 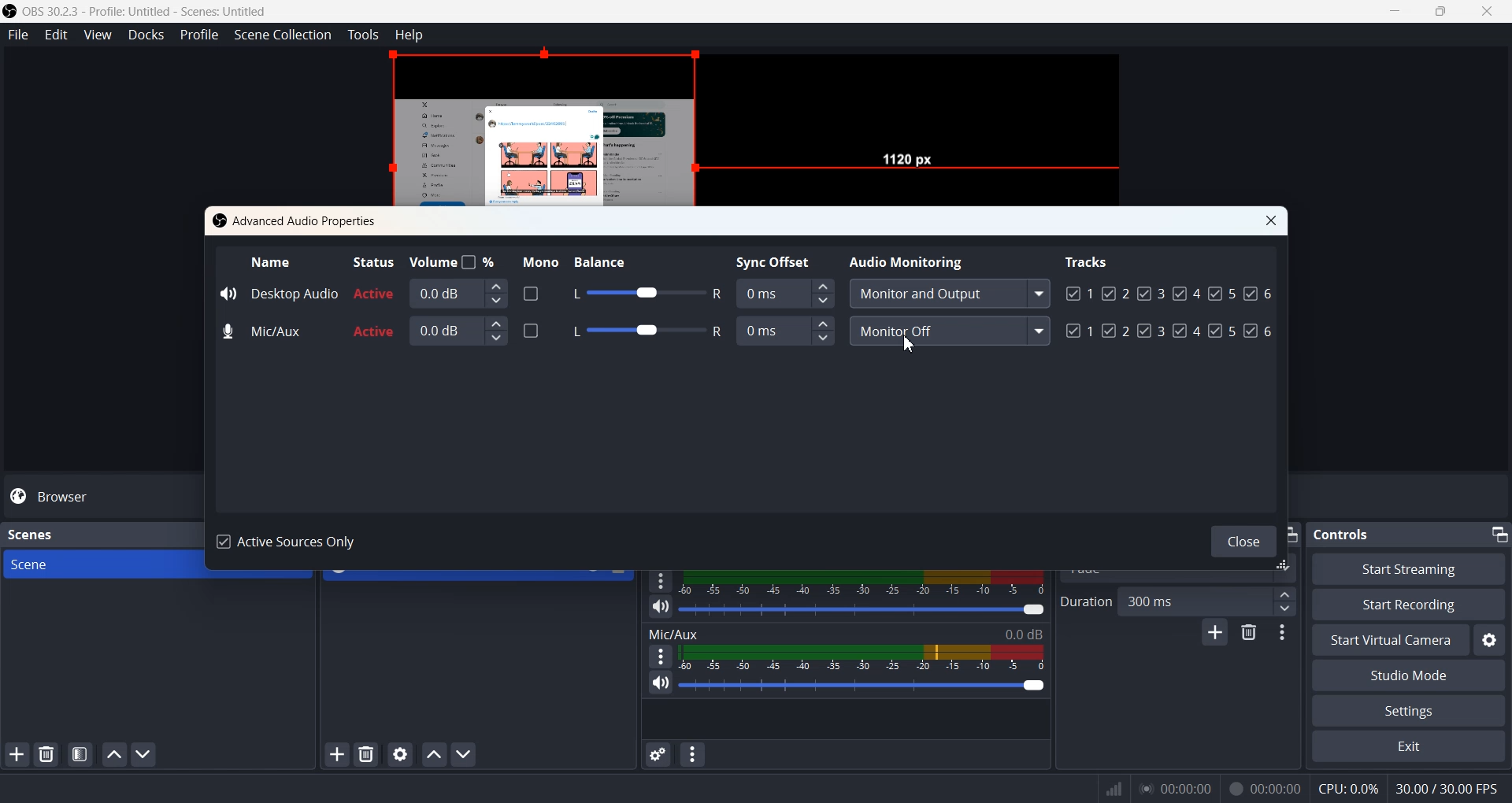 What do you see at coordinates (369, 754) in the screenshot?
I see `Delete selected sources` at bounding box center [369, 754].